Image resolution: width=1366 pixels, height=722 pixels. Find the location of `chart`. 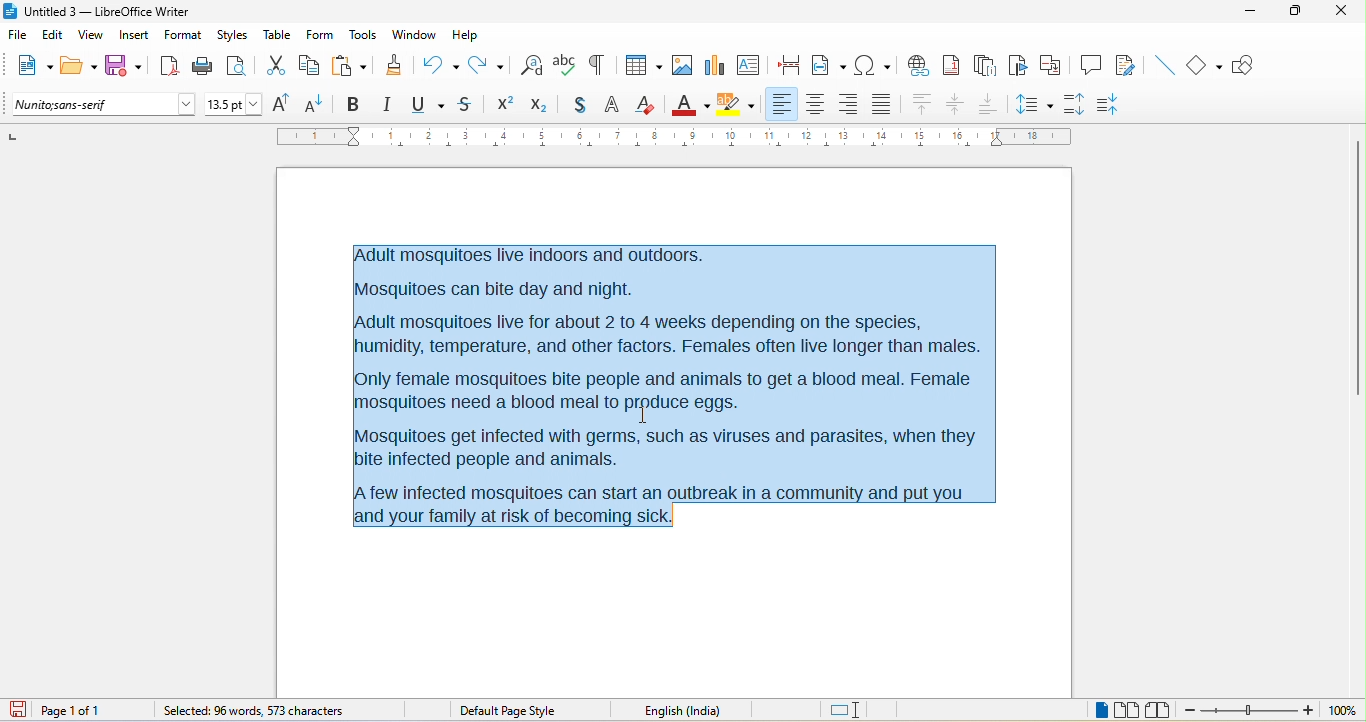

chart is located at coordinates (715, 66).